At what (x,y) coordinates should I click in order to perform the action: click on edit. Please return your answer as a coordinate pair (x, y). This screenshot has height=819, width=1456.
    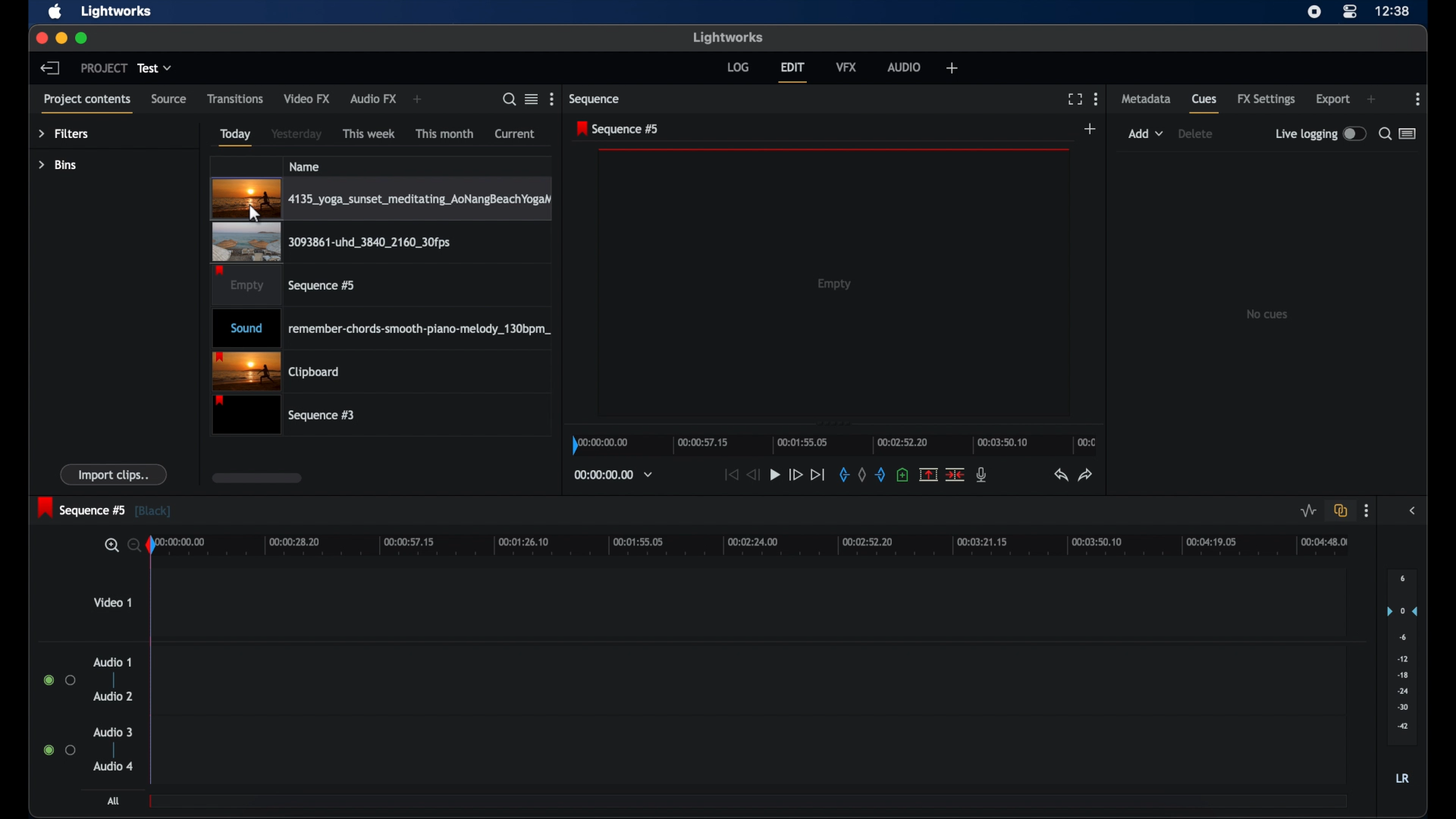
    Looking at the image, I should click on (792, 71).